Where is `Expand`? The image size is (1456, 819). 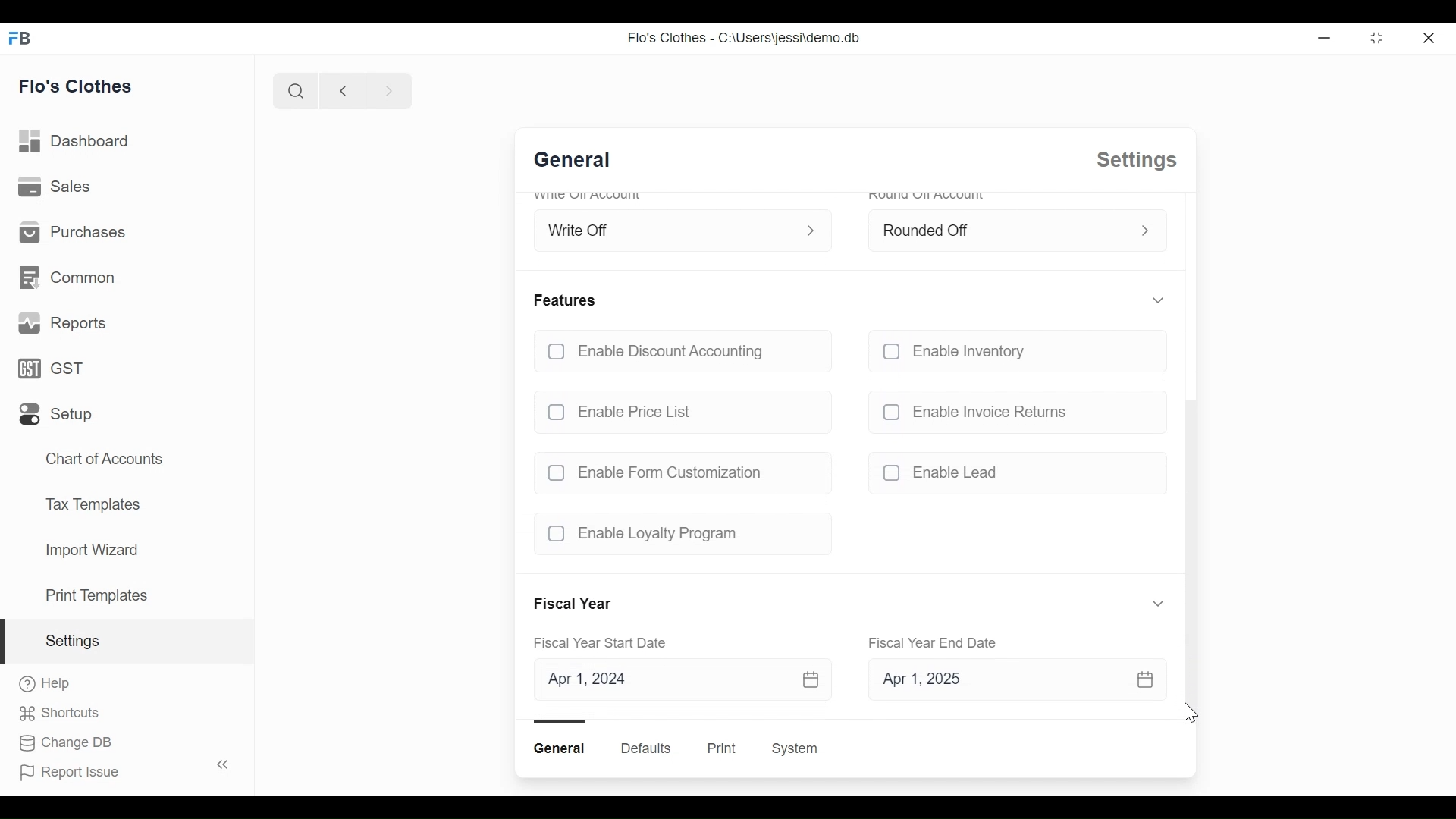
Expand is located at coordinates (1156, 300).